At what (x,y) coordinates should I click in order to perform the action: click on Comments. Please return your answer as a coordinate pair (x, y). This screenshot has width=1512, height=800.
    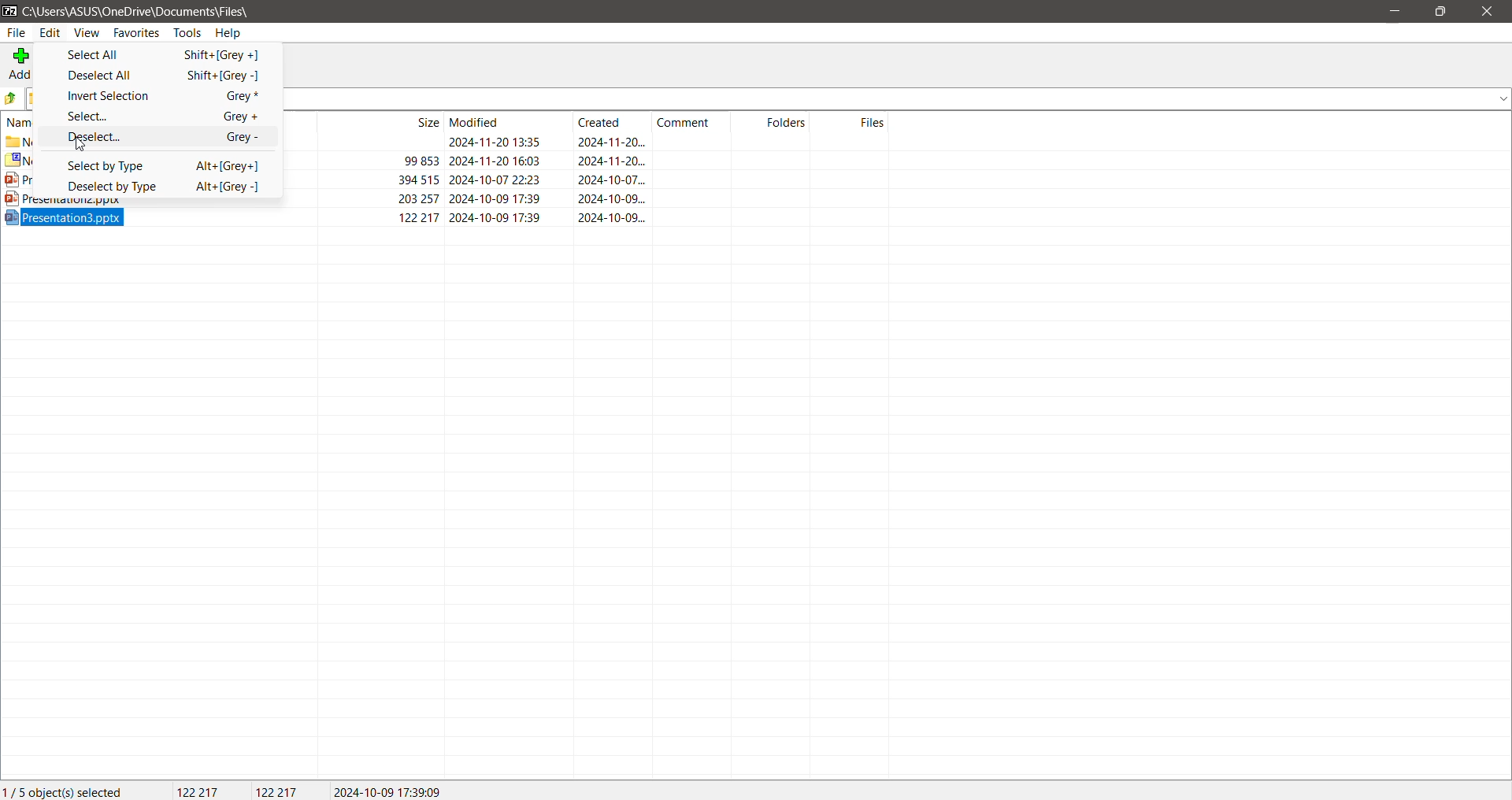
    Looking at the image, I should click on (691, 121).